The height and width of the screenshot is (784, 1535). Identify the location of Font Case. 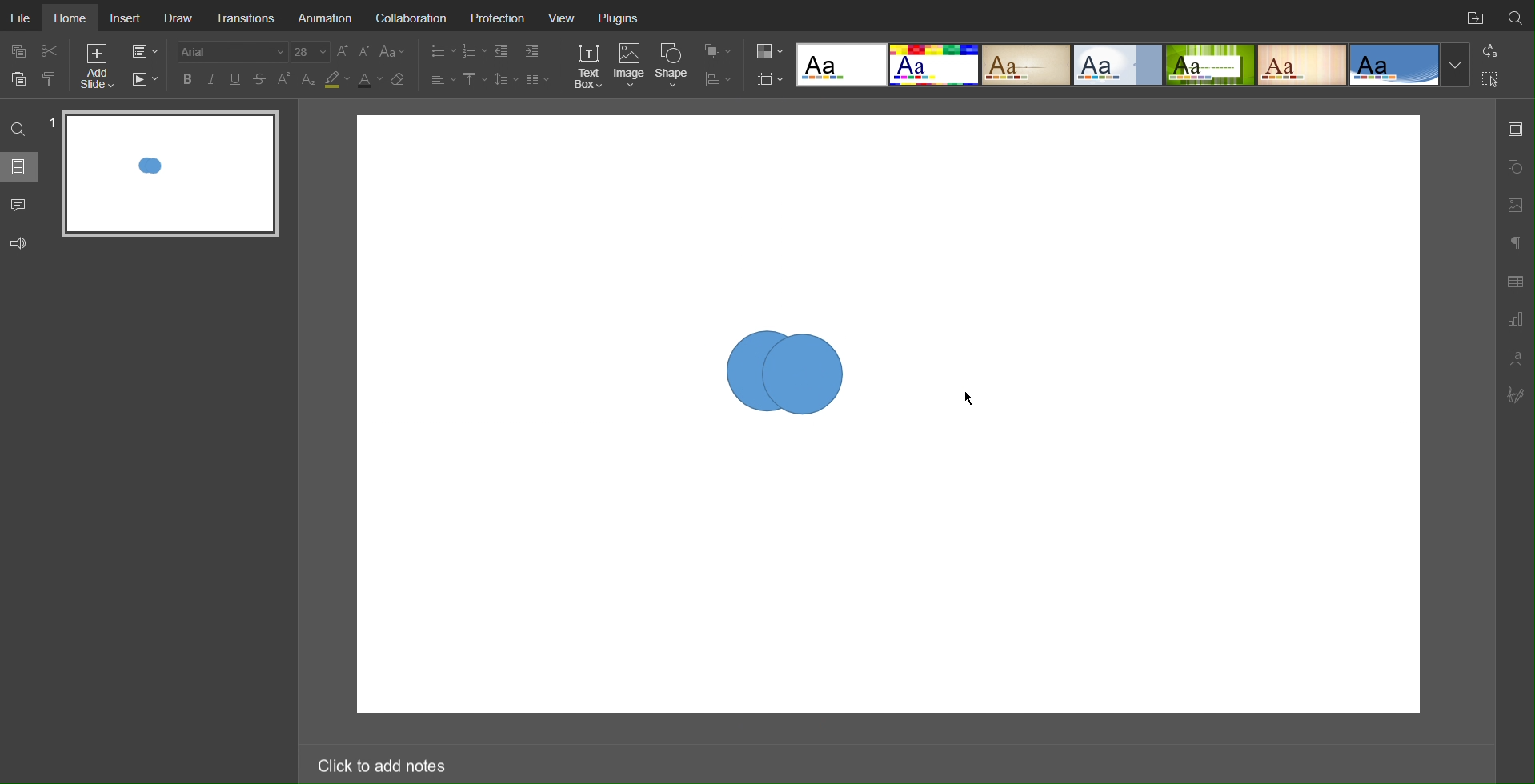
(394, 51).